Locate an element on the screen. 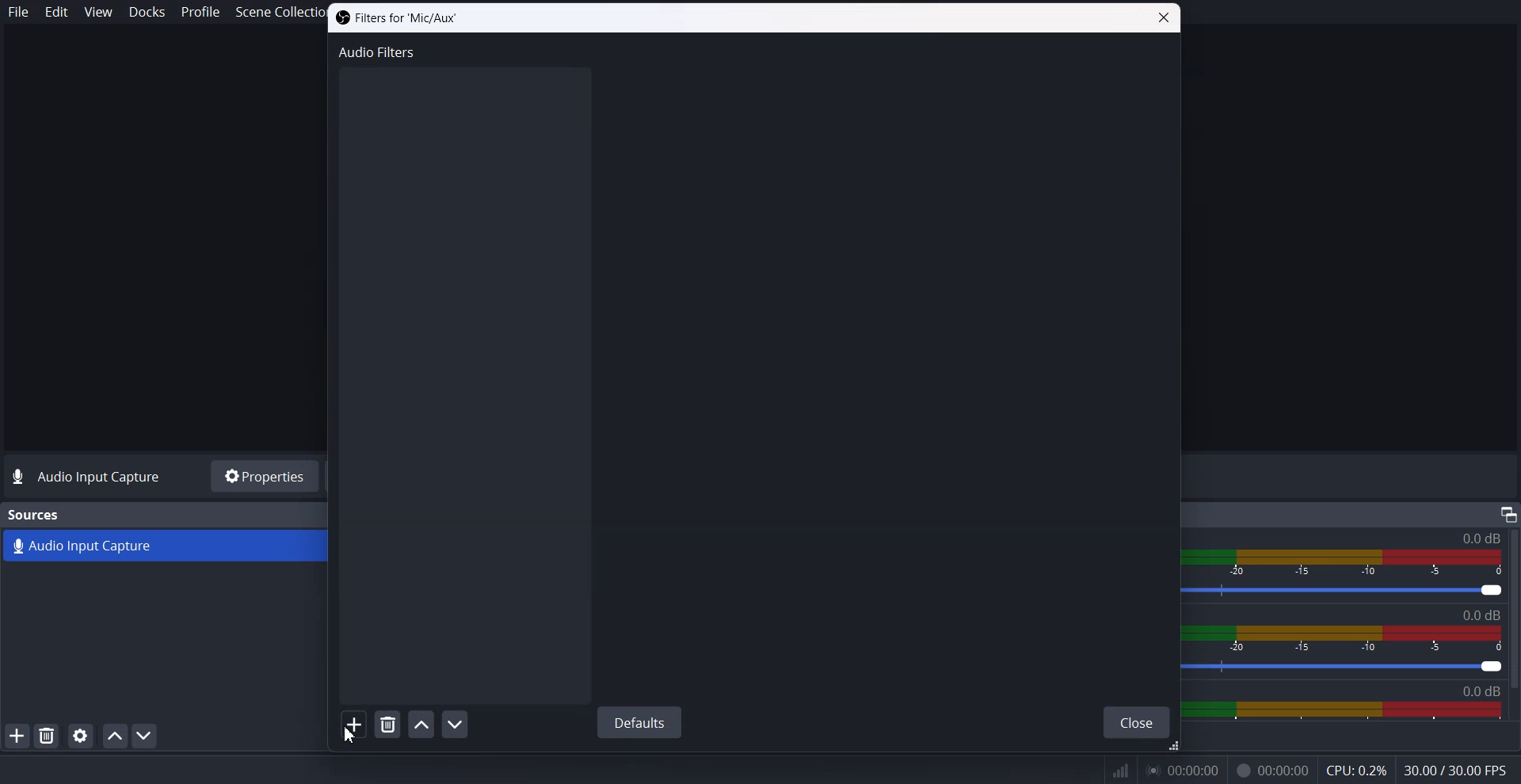  Remove Selected Source is located at coordinates (47, 735).